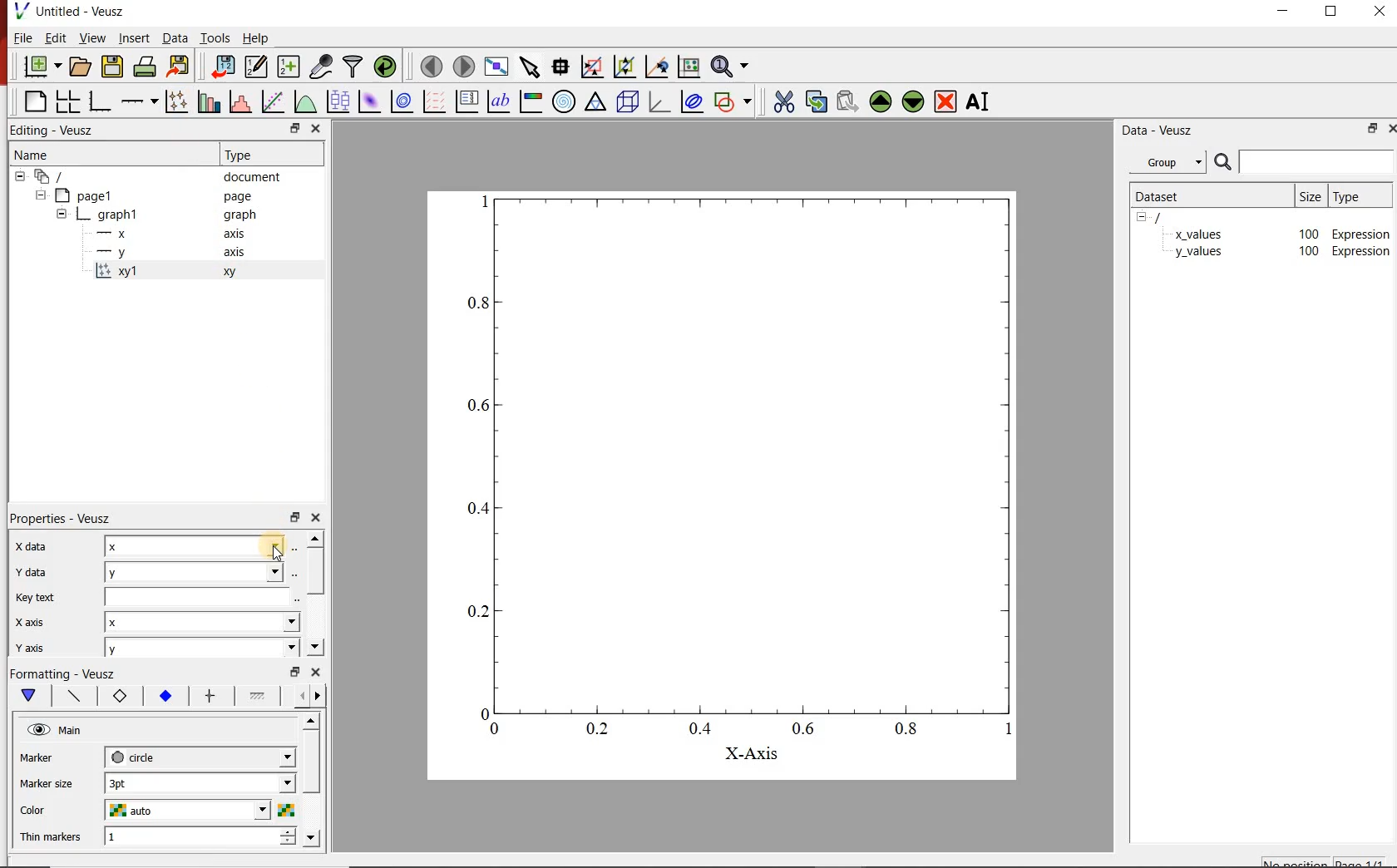  I want to click on hide, so click(62, 213).